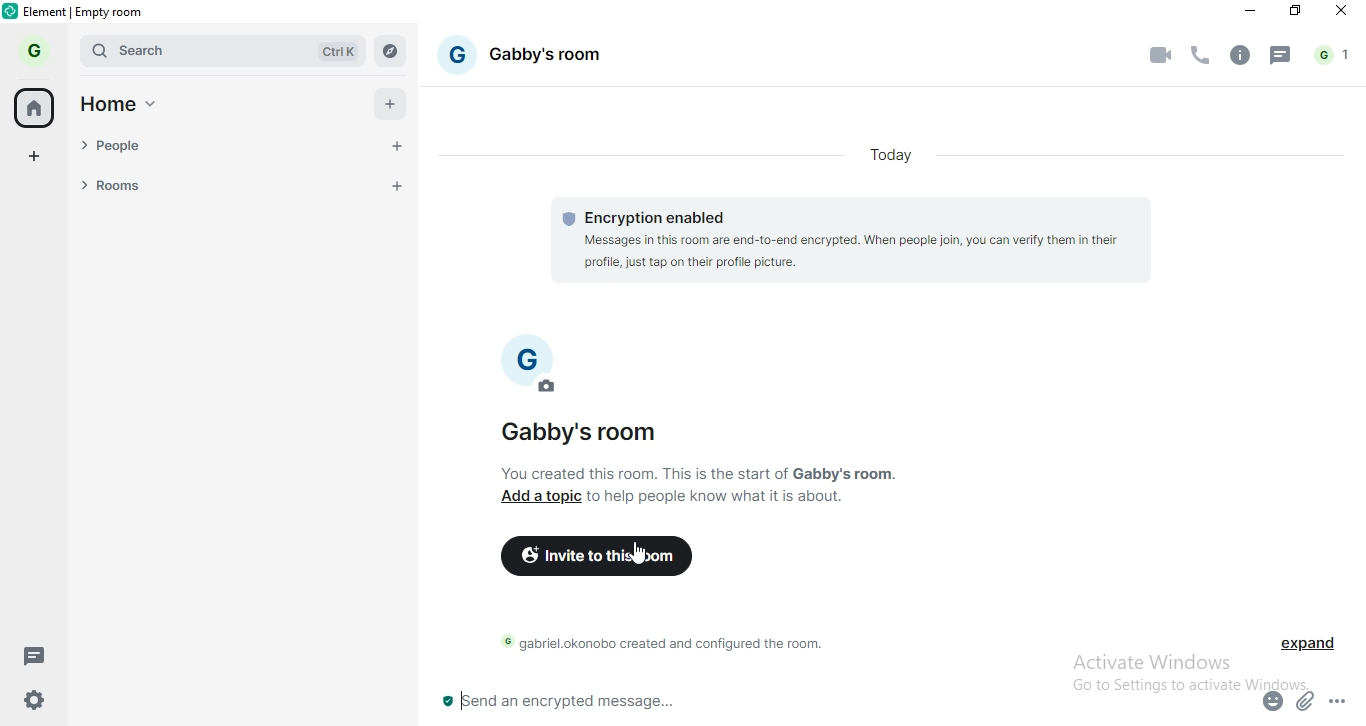 This screenshot has height=726, width=1366. I want to click on start chat, so click(400, 149).